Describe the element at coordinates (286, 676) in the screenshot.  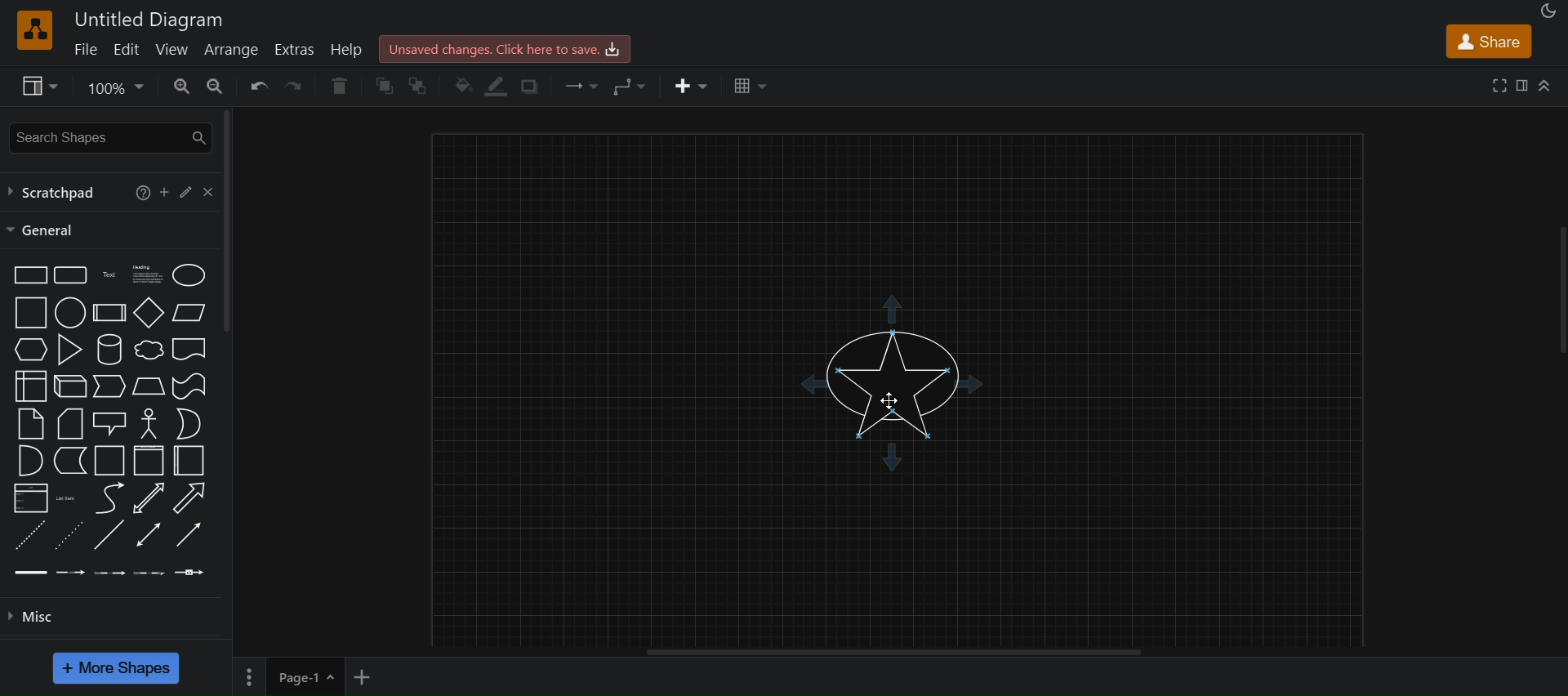
I see `page 1` at that location.